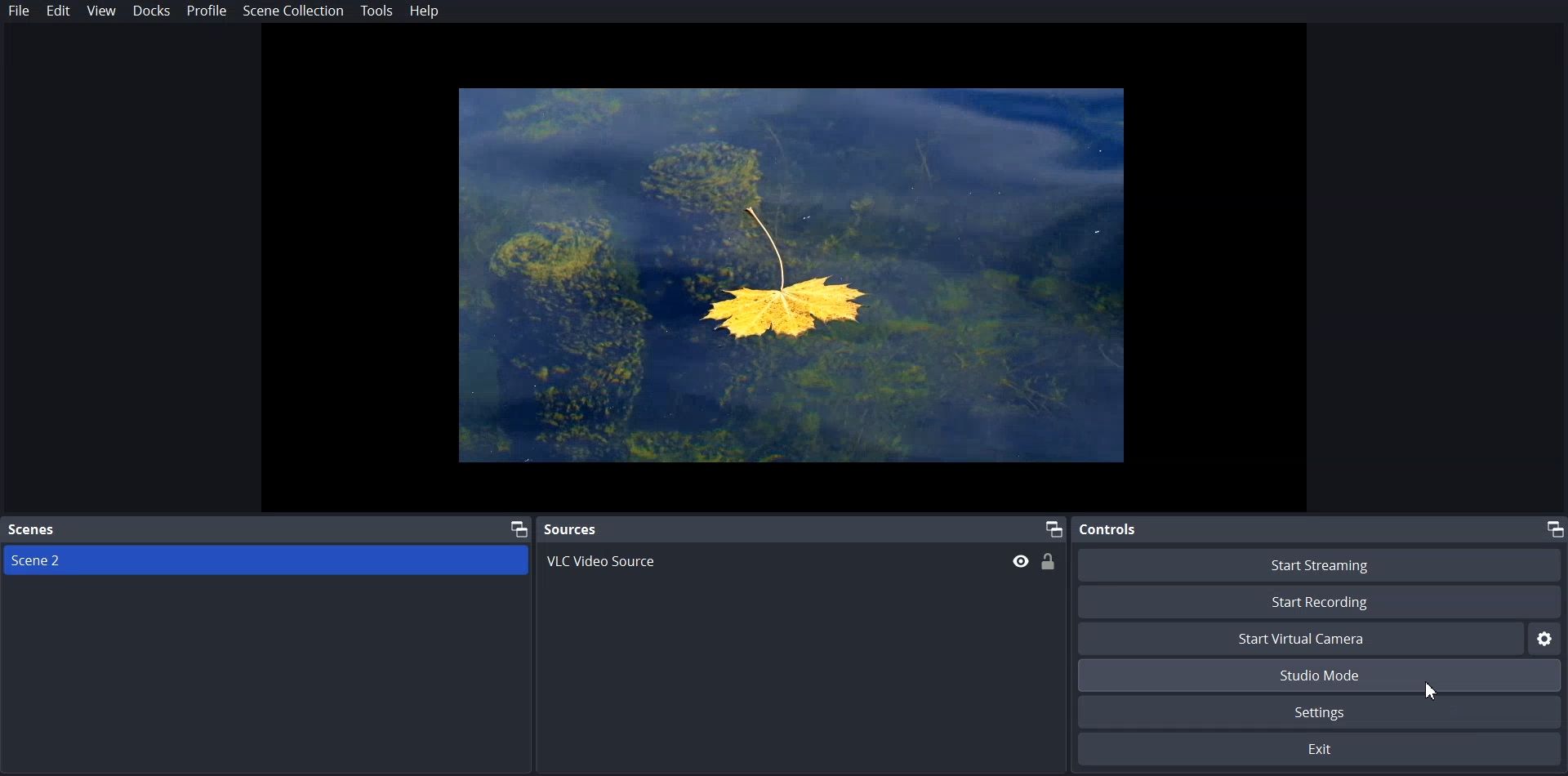 This screenshot has height=776, width=1568. Describe the element at coordinates (1108, 529) in the screenshot. I see `Controls` at that location.